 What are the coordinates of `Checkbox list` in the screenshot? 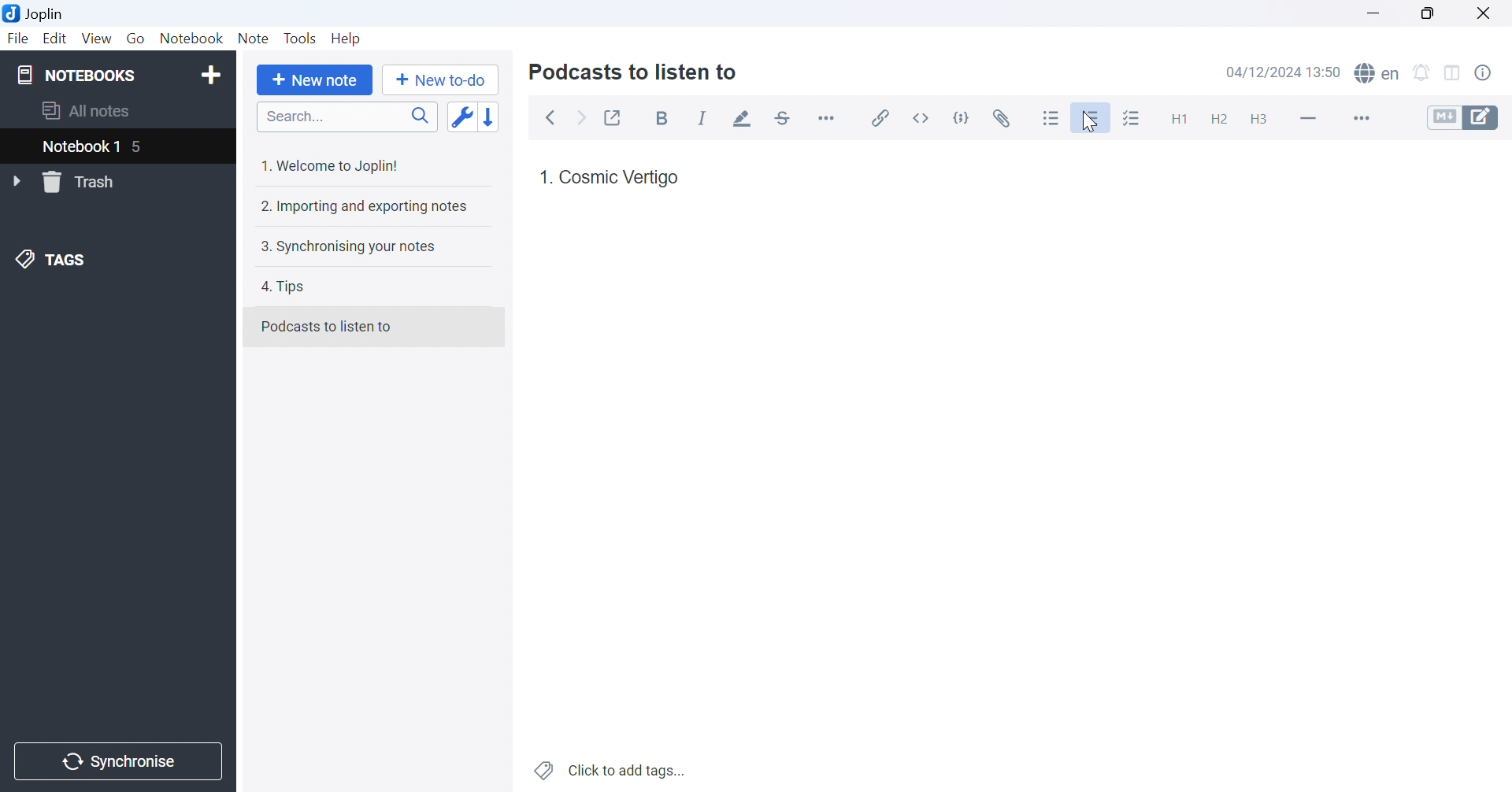 It's located at (1133, 118).